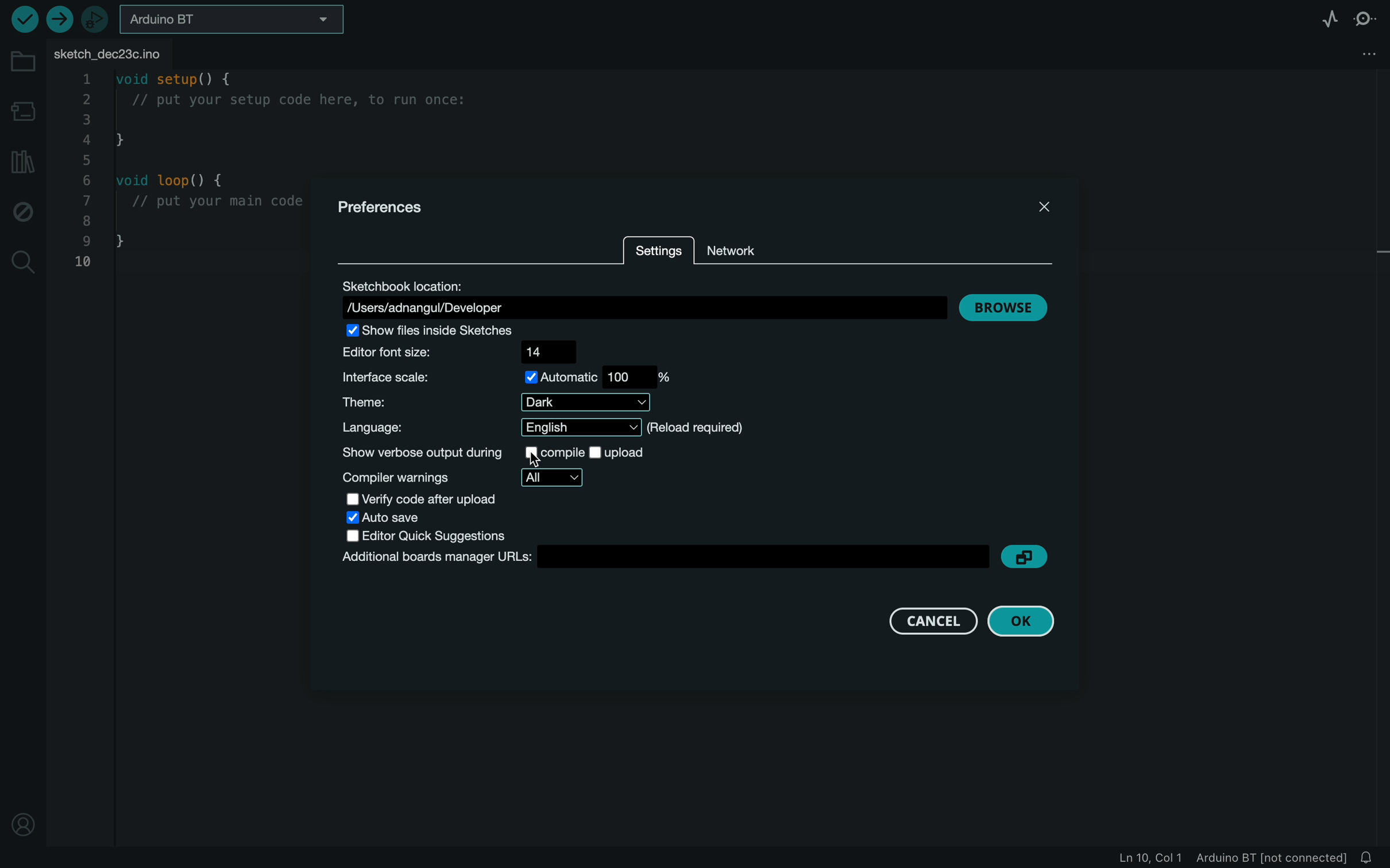 This screenshot has height=868, width=1390. What do you see at coordinates (1028, 554) in the screenshot?
I see `copy` at bounding box center [1028, 554].